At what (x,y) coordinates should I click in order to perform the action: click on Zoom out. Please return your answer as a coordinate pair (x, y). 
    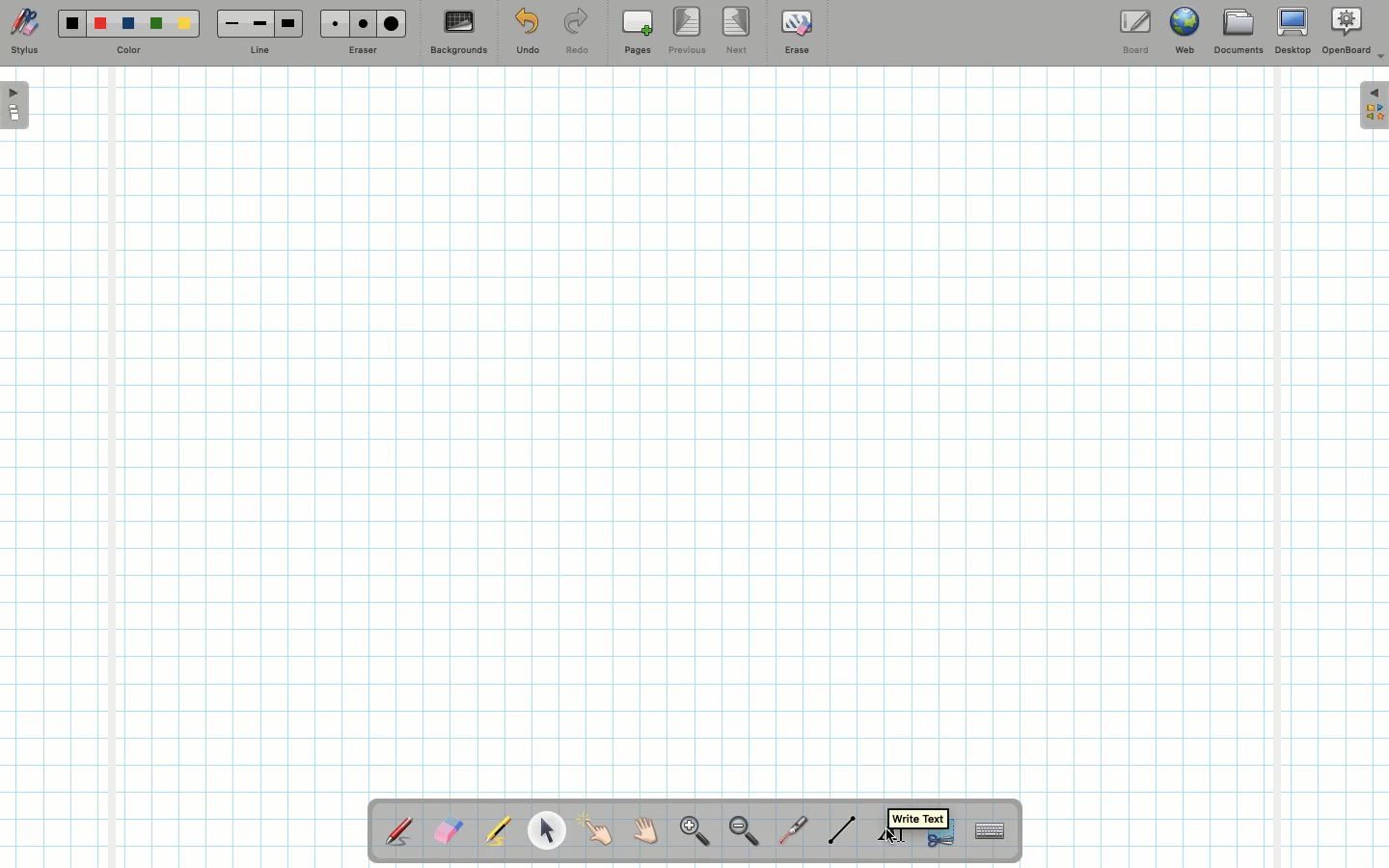
    Looking at the image, I should click on (744, 832).